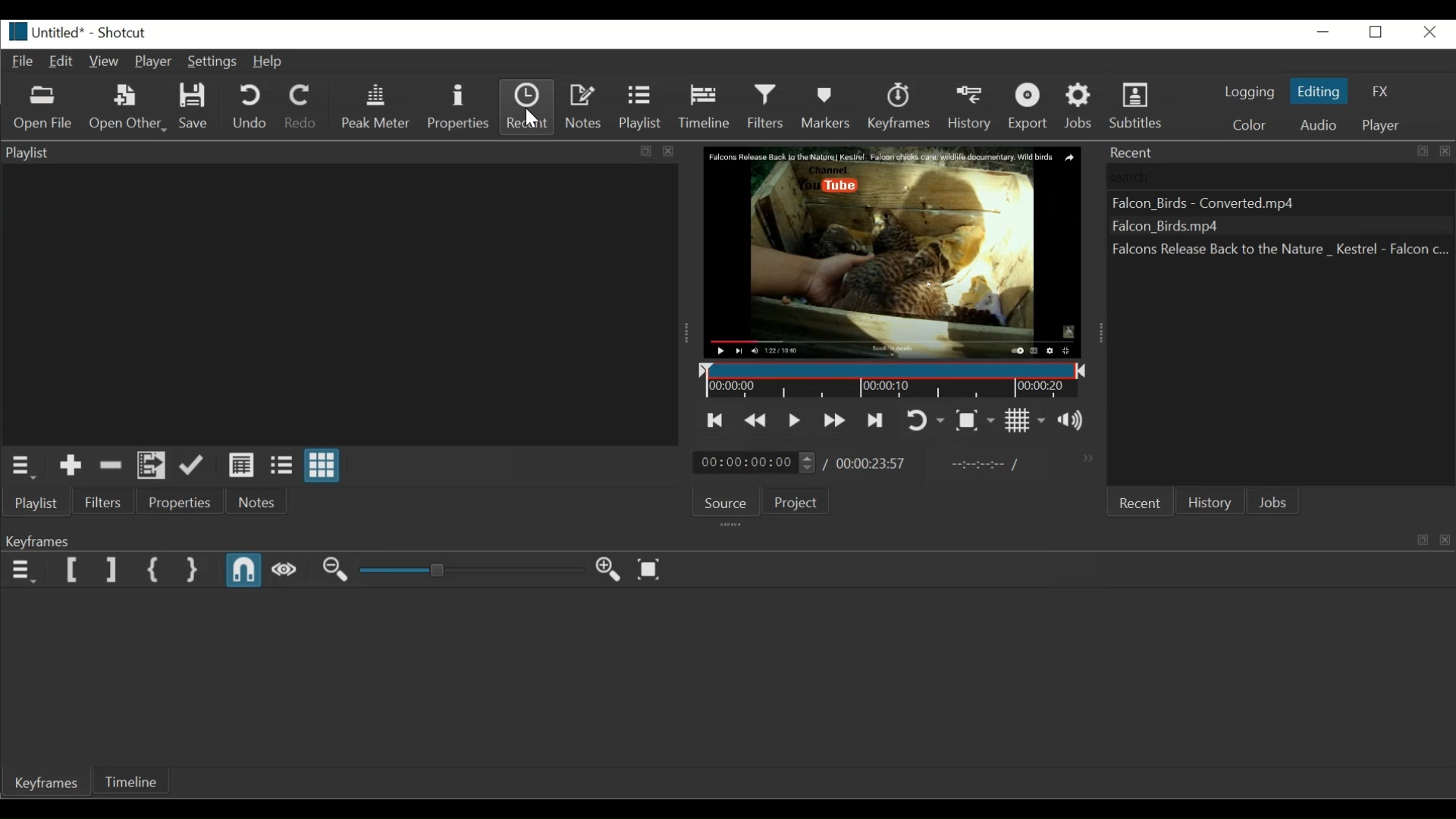  I want to click on Timeline, so click(890, 380).